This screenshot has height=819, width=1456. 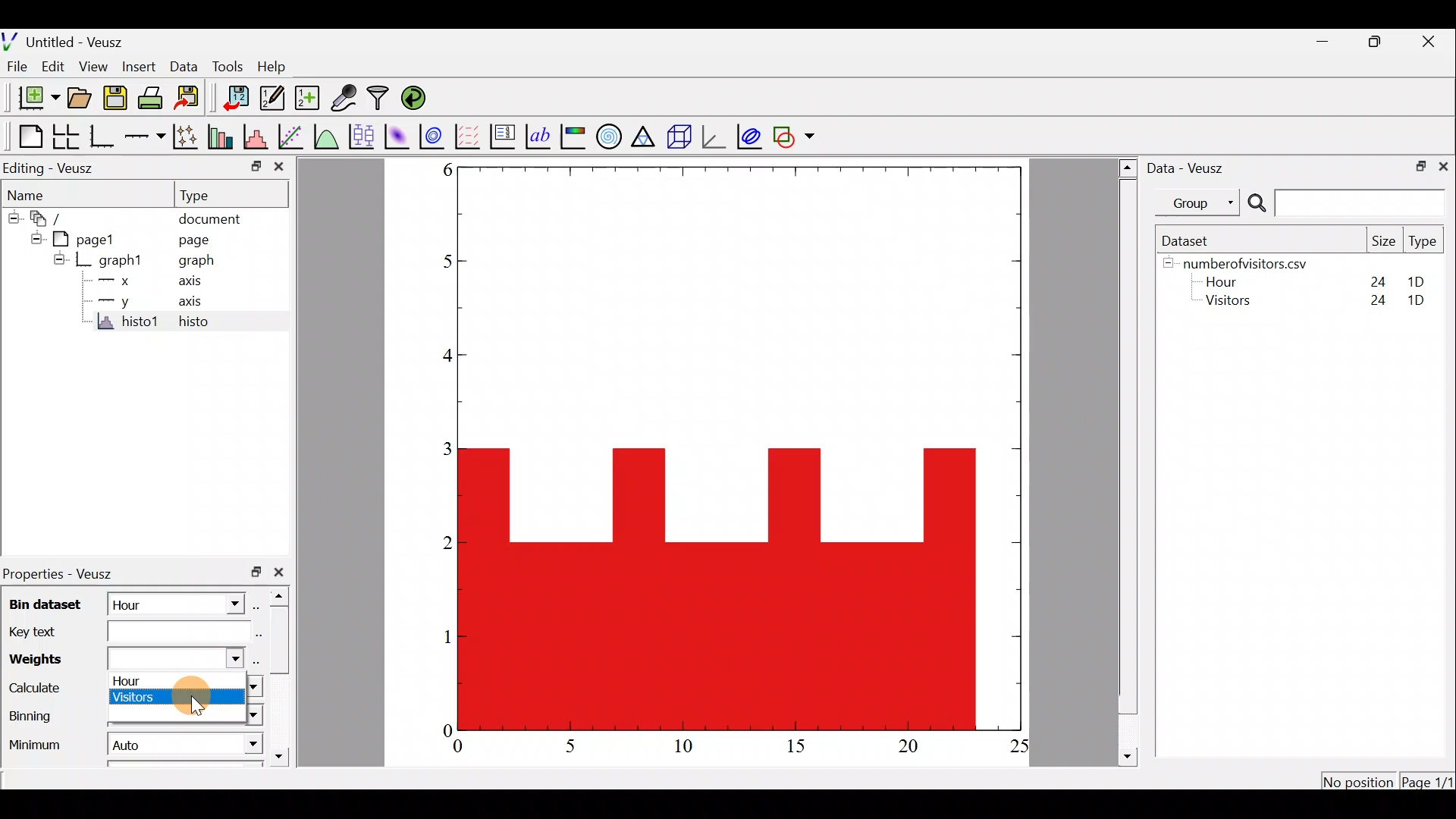 What do you see at coordinates (55, 67) in the screenshot?
I see `Edit` at bounding box center [55, 67].